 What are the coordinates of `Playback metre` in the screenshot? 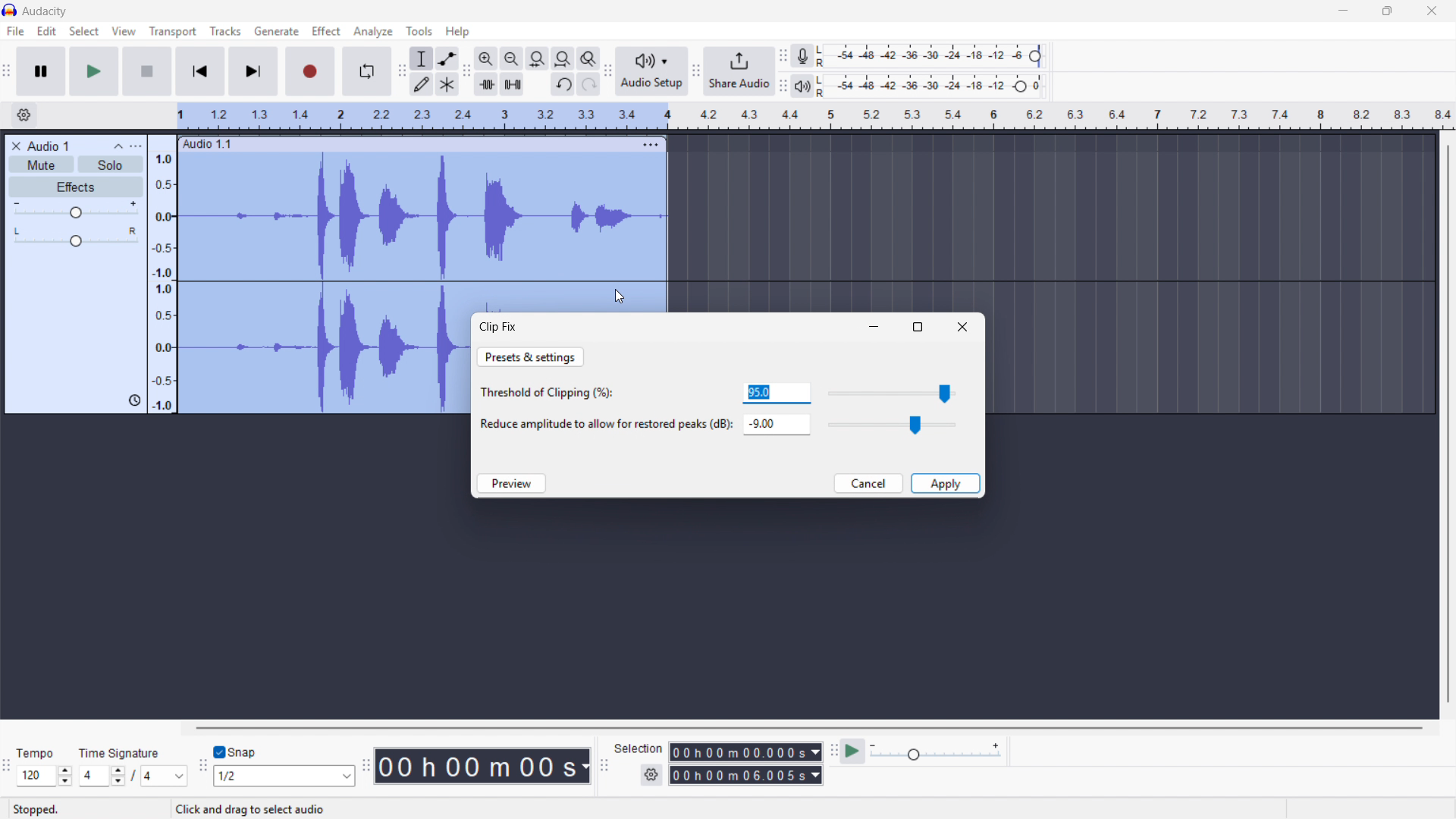 It's located at (804, 86).